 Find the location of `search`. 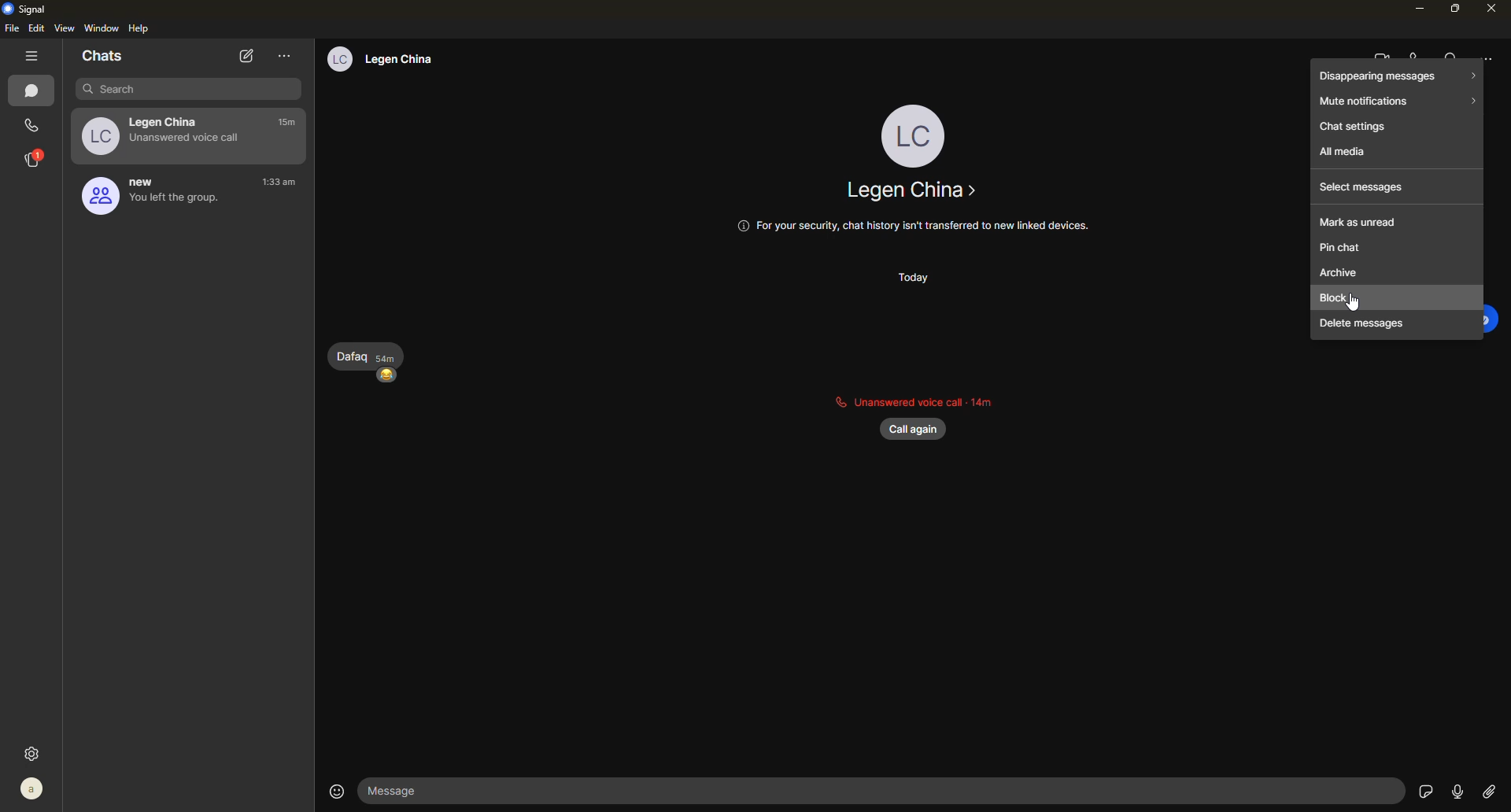

search is located at coordinates (184, 88).